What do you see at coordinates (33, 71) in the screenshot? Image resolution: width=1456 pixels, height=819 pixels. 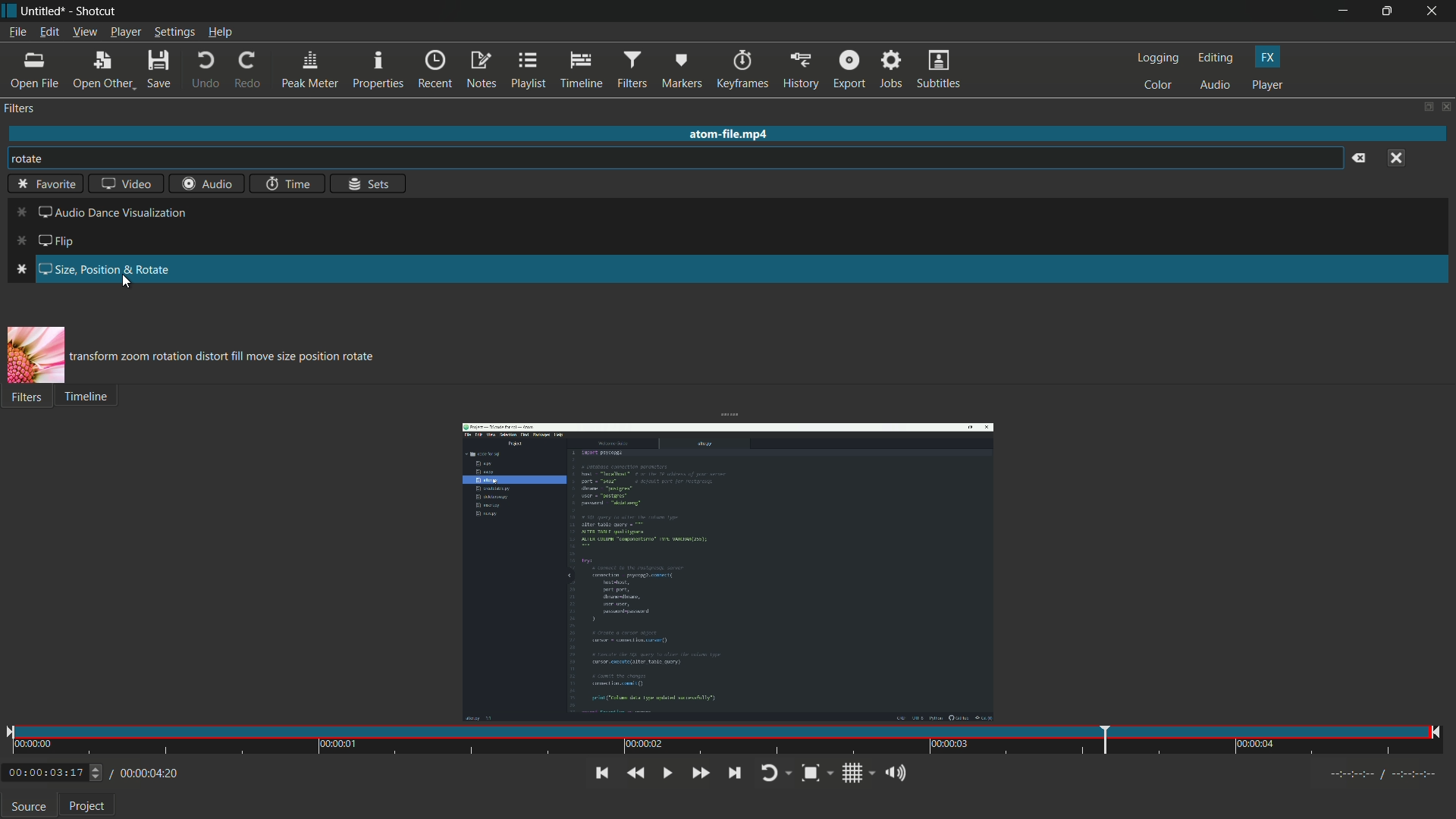 I see `open file` at bounding box center [33, 71].